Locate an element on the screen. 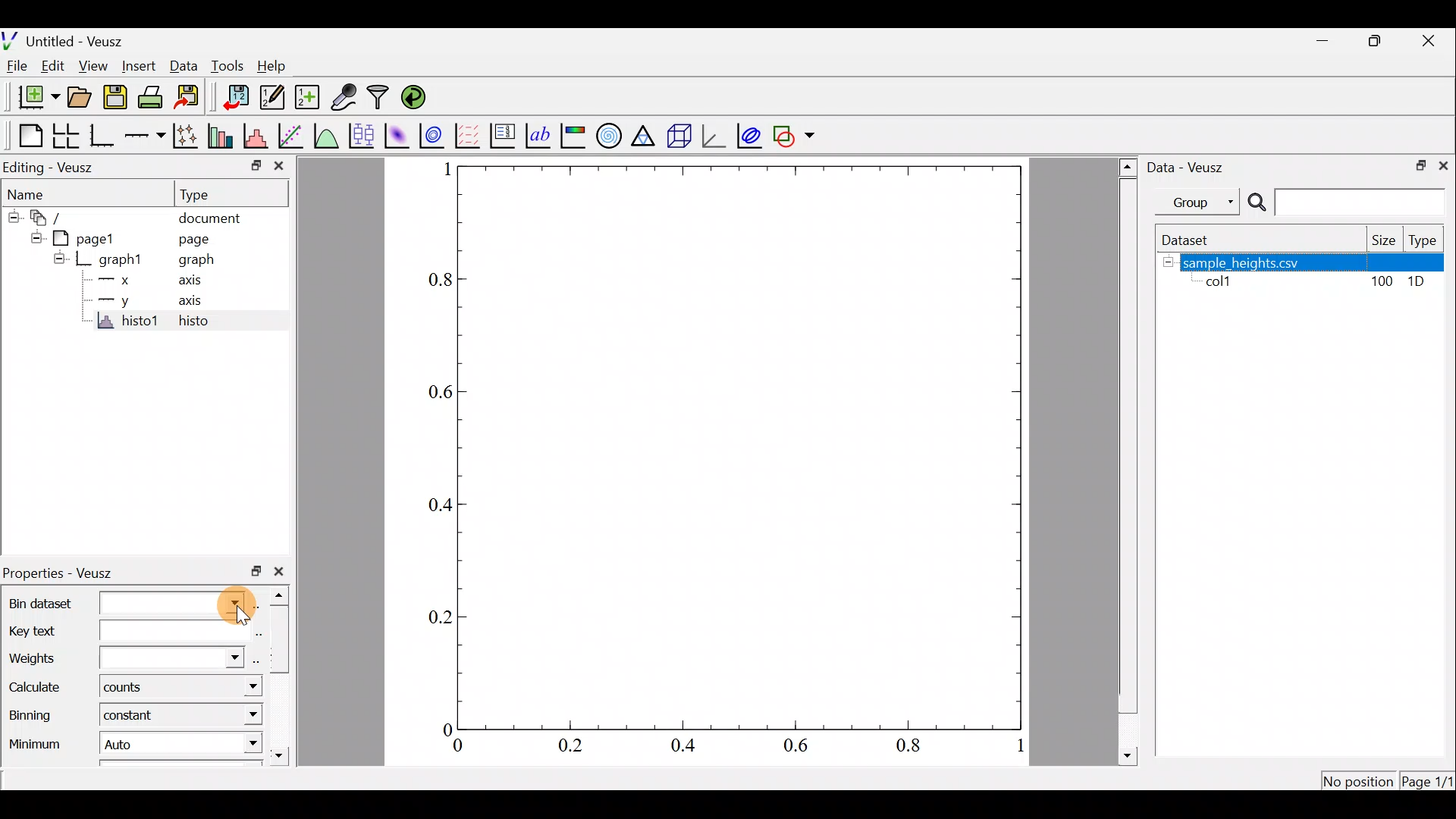 This screenshot has width=1456, height=819. Blank page is located at coordinates (26, 134).